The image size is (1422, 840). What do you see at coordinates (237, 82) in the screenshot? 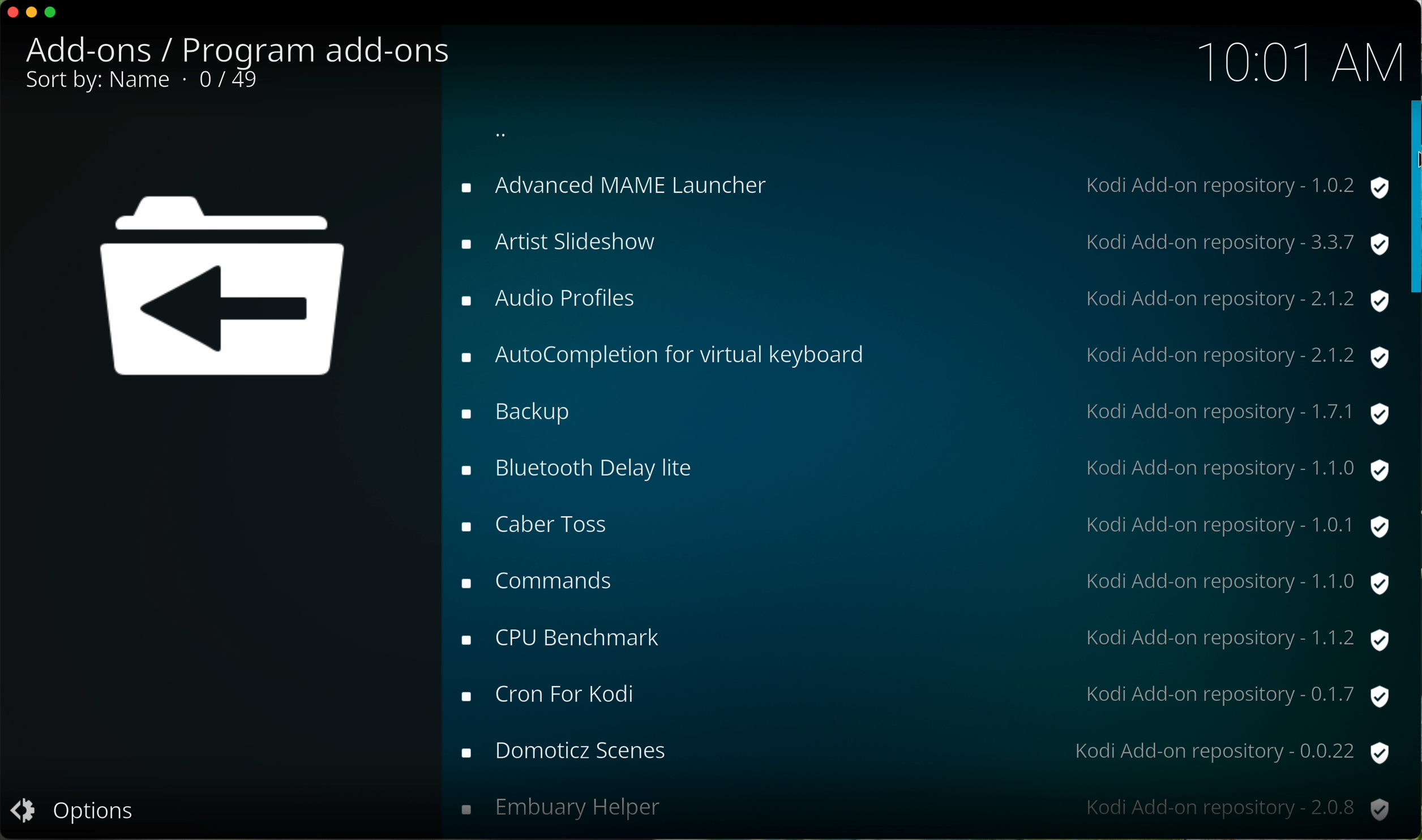
I see `0/49` at bounding box center [237, 82].